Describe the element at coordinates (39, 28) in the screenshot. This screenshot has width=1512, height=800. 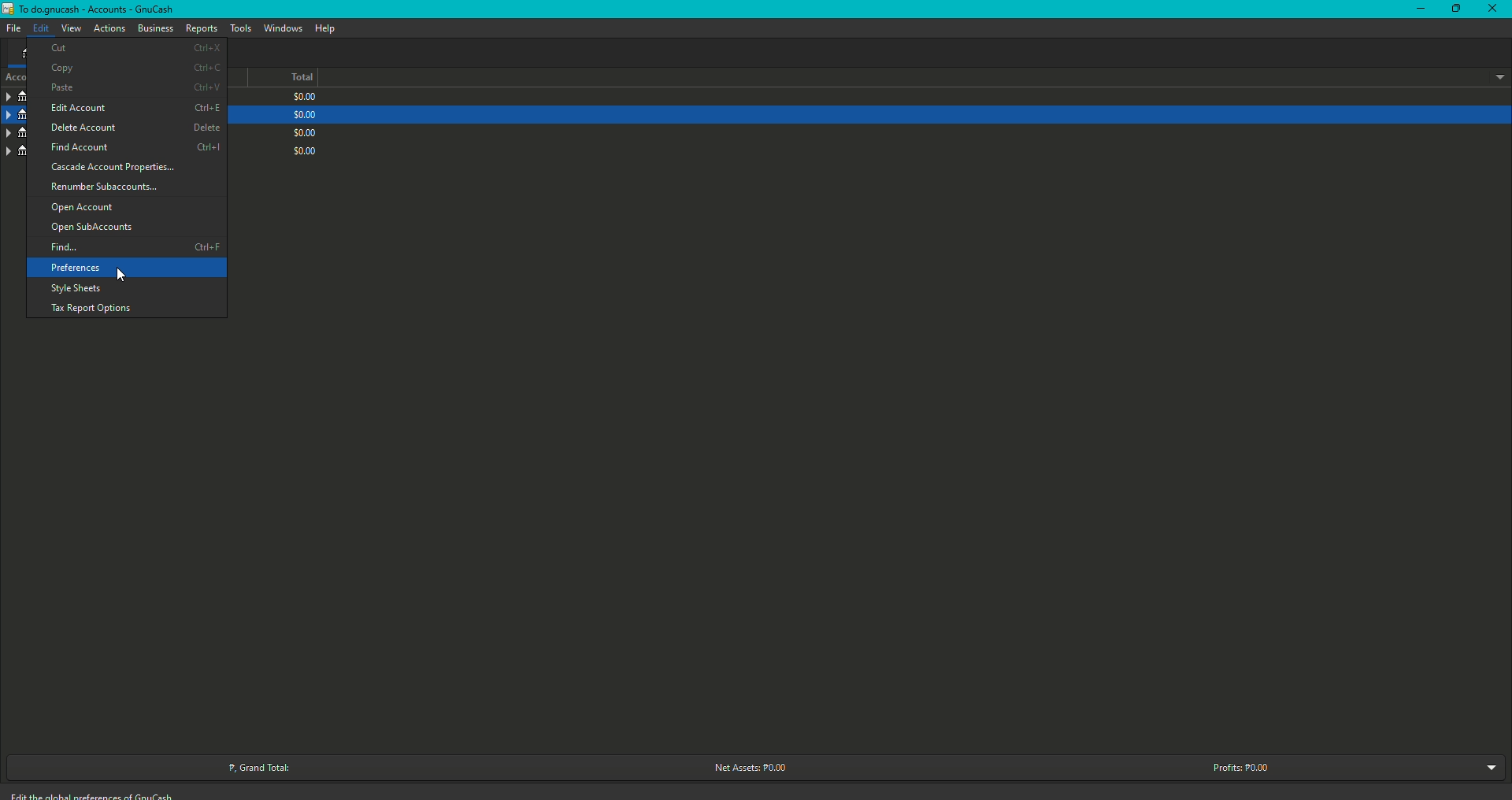
I see `Edit` at that location.